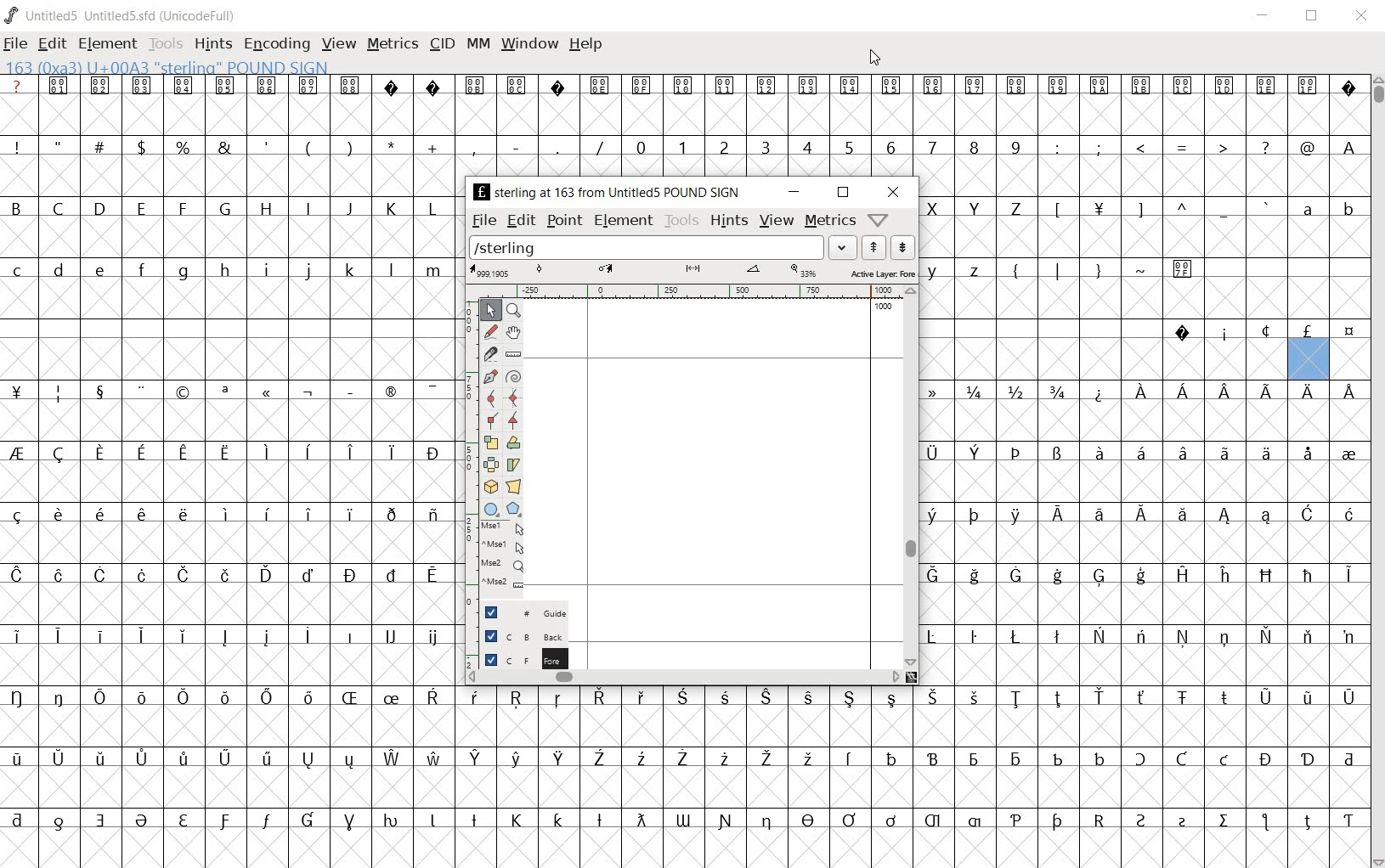 The image size is (1385, 868). I want to click on Symbol, so click(1016, 454).